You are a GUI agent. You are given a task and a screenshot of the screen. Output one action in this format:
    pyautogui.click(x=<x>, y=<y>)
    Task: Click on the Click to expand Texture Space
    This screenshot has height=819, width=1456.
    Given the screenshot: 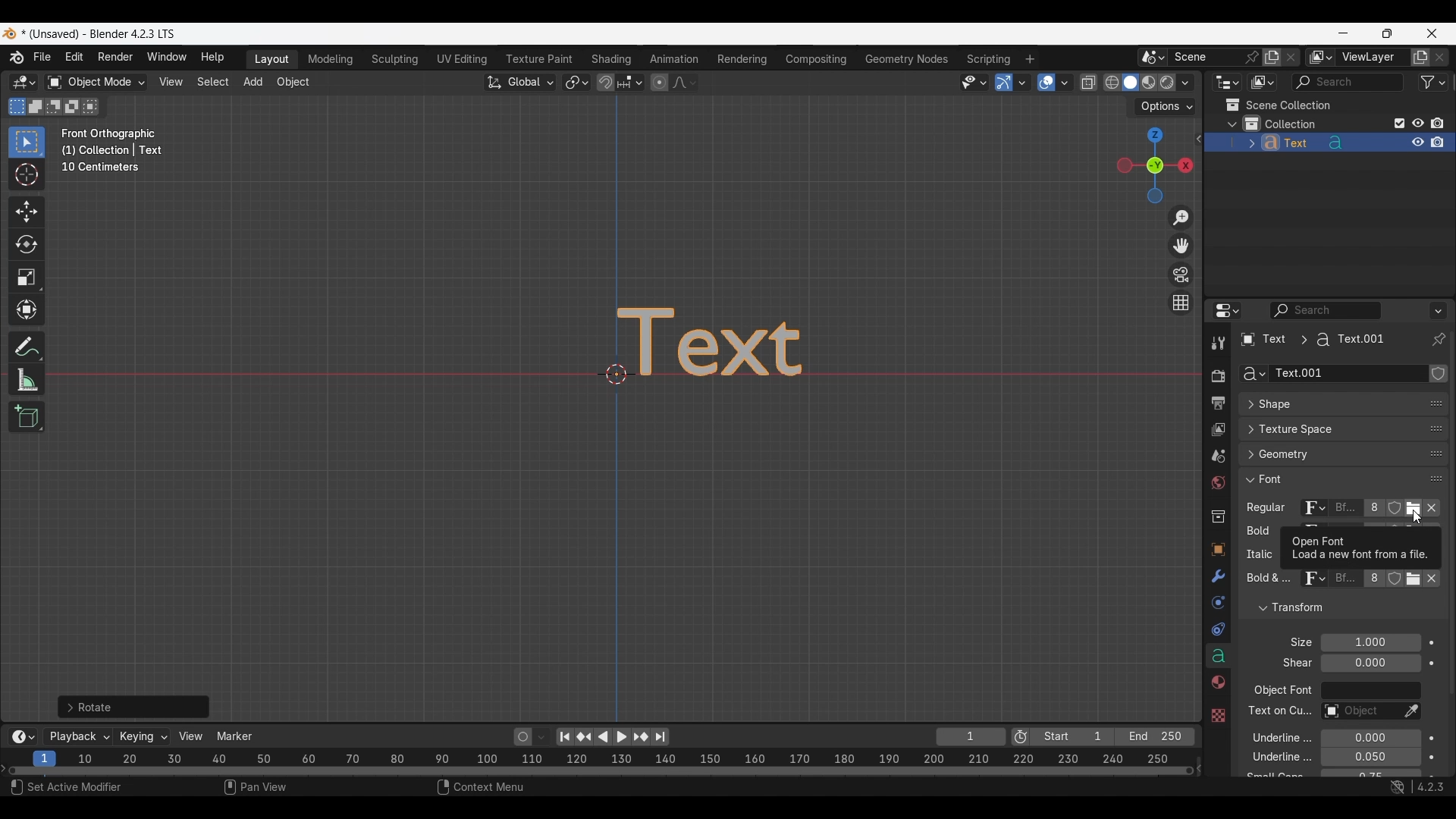 What is the action you would take?
    pyautogui.click(x=1328, y=429)
    